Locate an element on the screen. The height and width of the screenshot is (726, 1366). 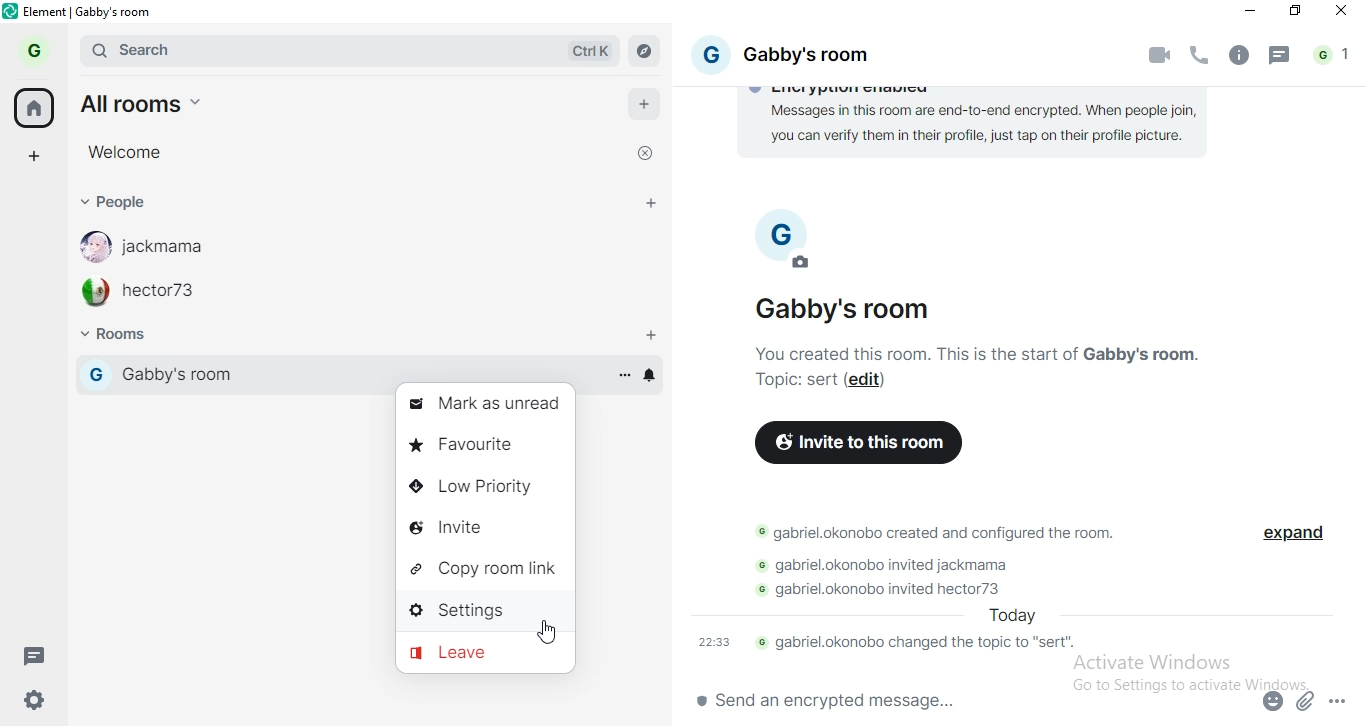
message is located at coordinates (1280, 59).